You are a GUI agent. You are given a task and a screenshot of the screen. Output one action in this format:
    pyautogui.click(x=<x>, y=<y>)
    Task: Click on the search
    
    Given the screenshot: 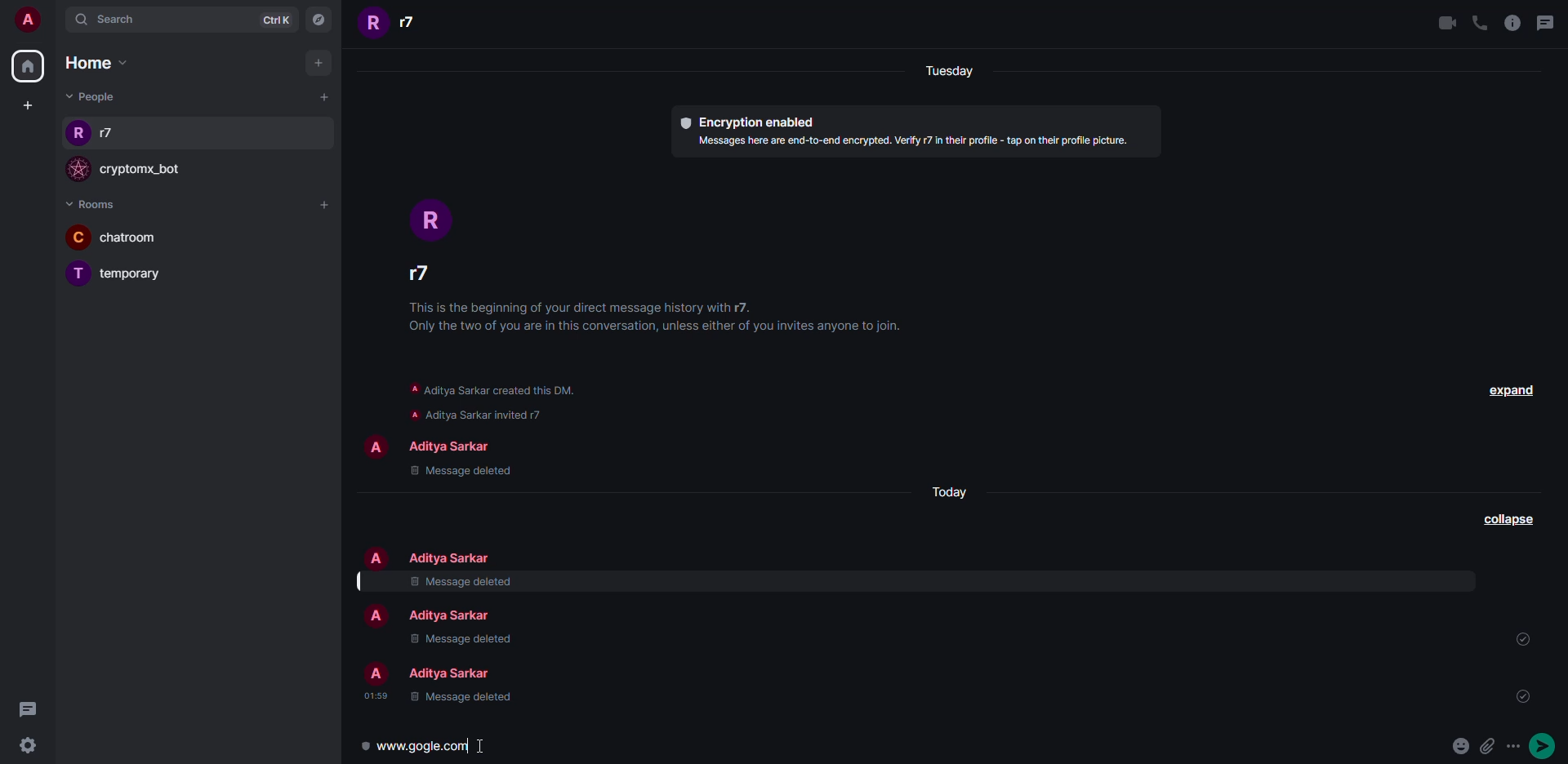 What is the action you would take?
    pyautogui.click(x=122, y=20)
    